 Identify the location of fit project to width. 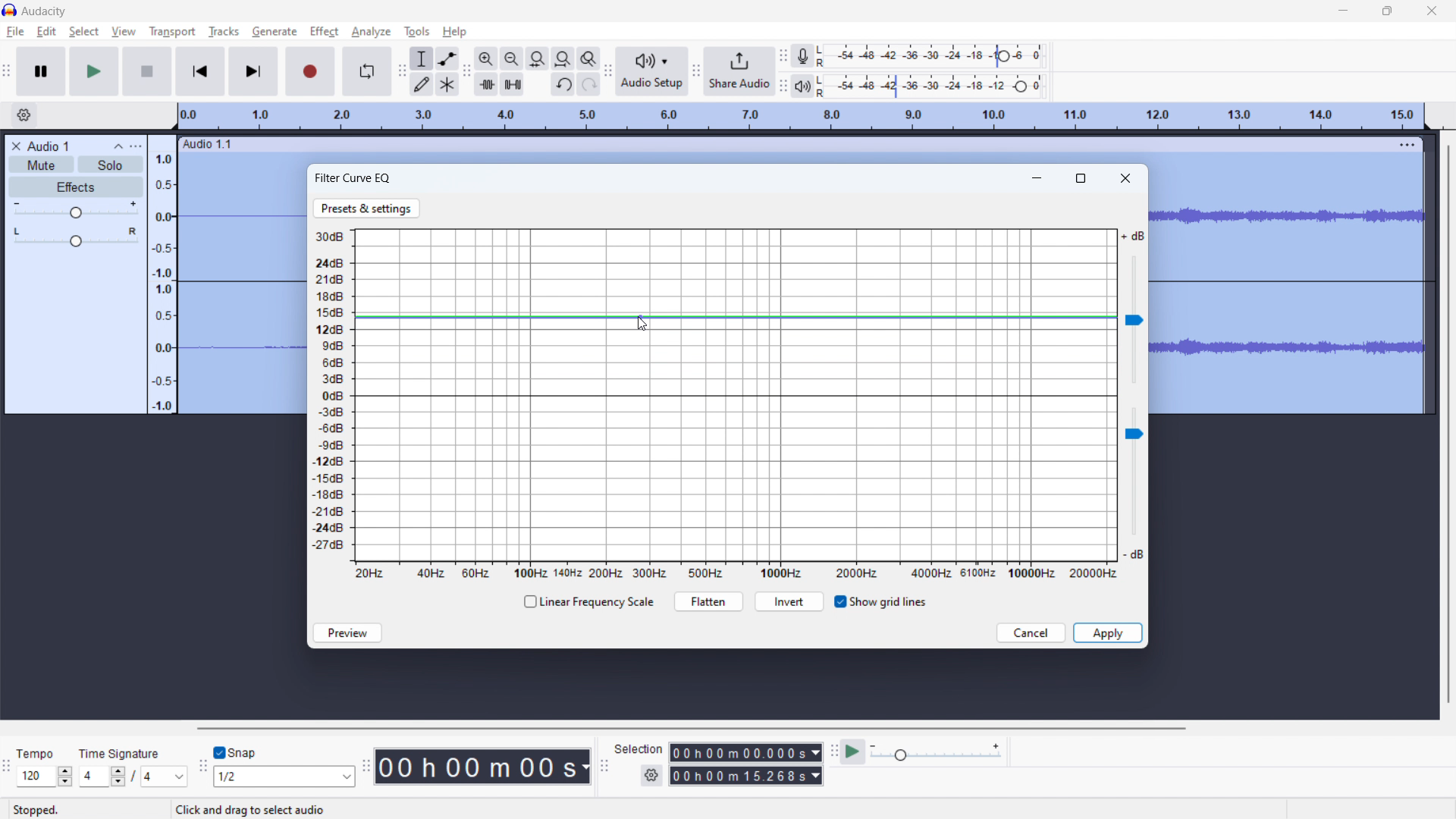
(563, 58).